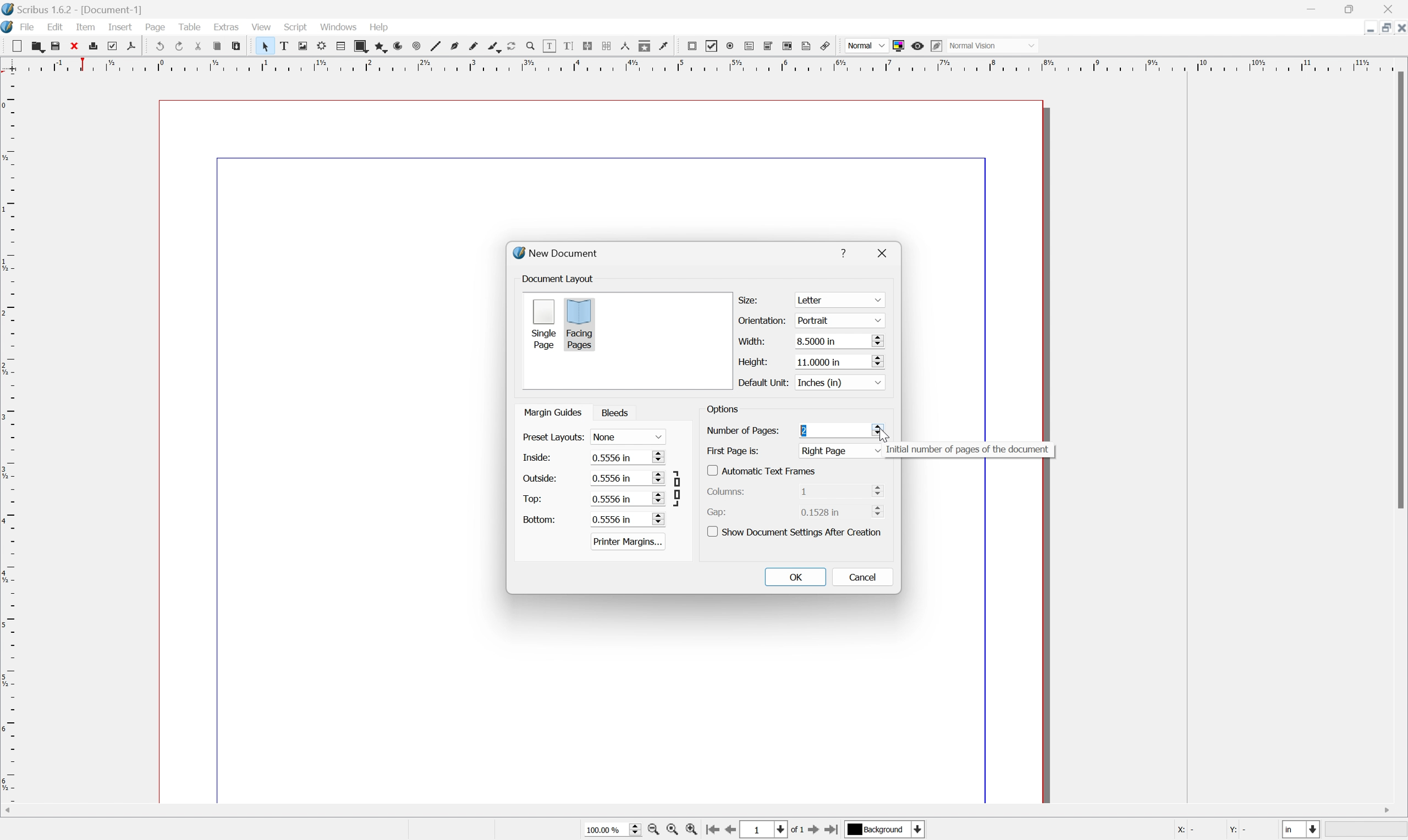  What do you see at coordinates (742, 430) in the screenshot?
I see `Number of pages:` at bounding box center [742, 430].